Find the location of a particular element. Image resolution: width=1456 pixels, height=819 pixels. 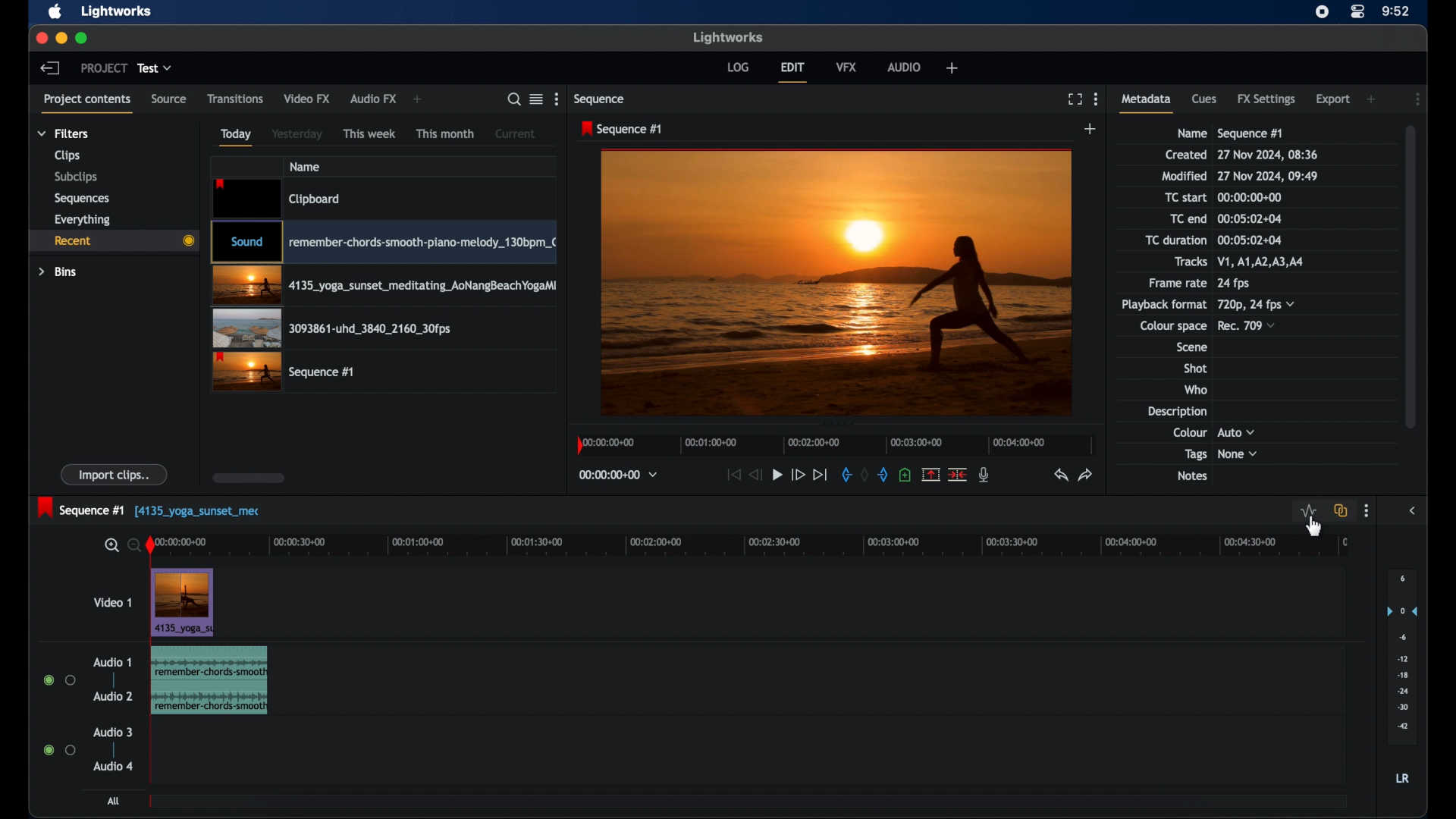

video clip is located at coordinates (333, 328).